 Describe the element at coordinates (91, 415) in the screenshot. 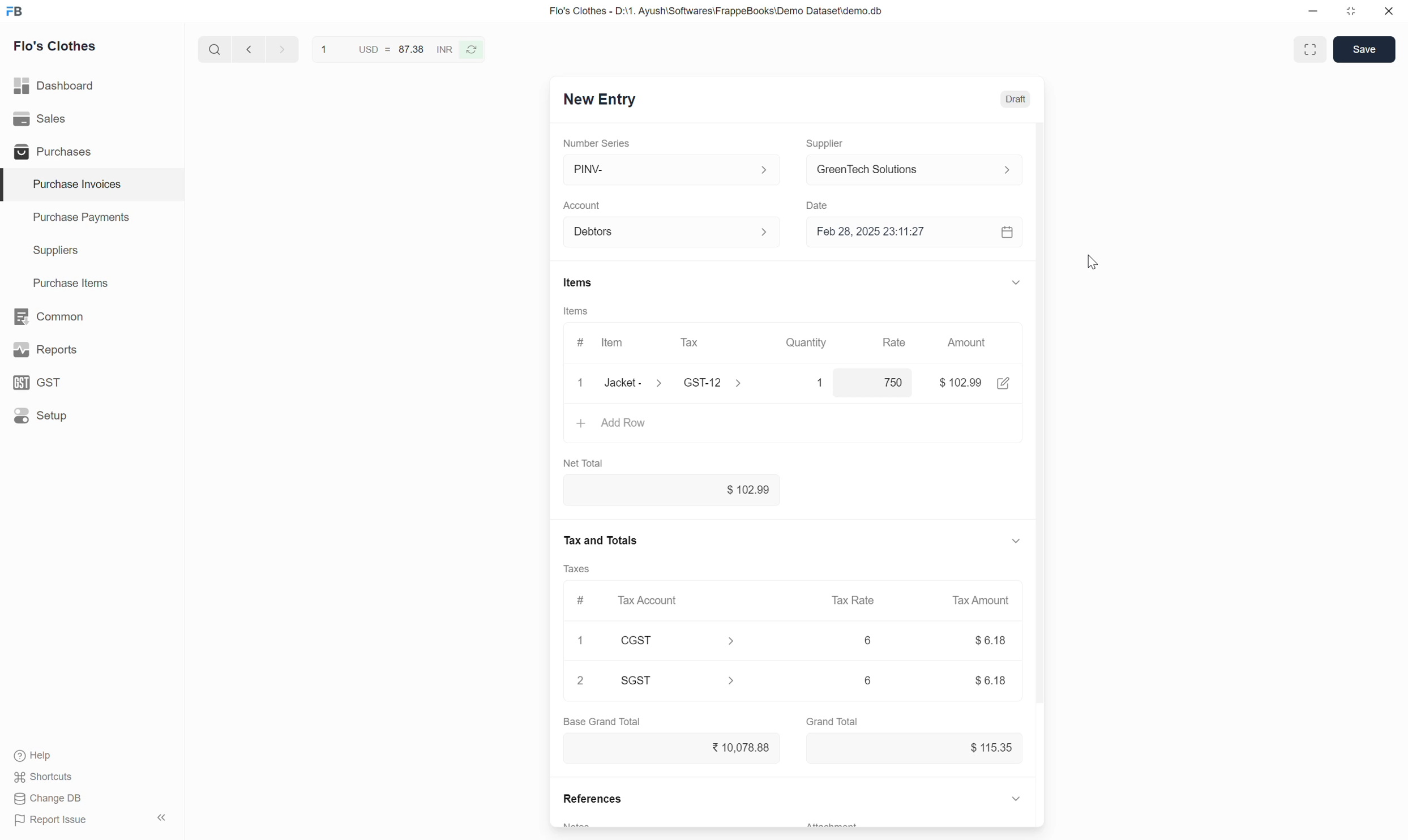

I see `Setup` at that location.